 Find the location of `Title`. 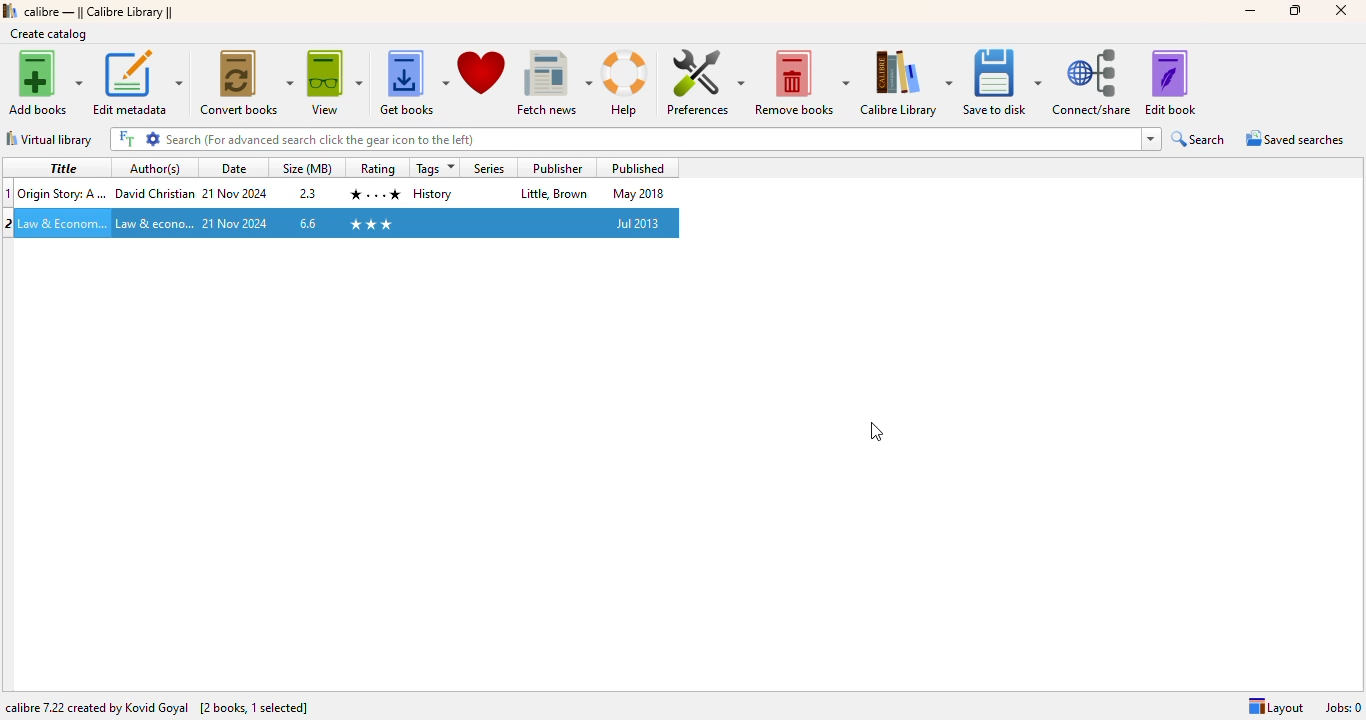

Title is located at coordinates (63, 191).